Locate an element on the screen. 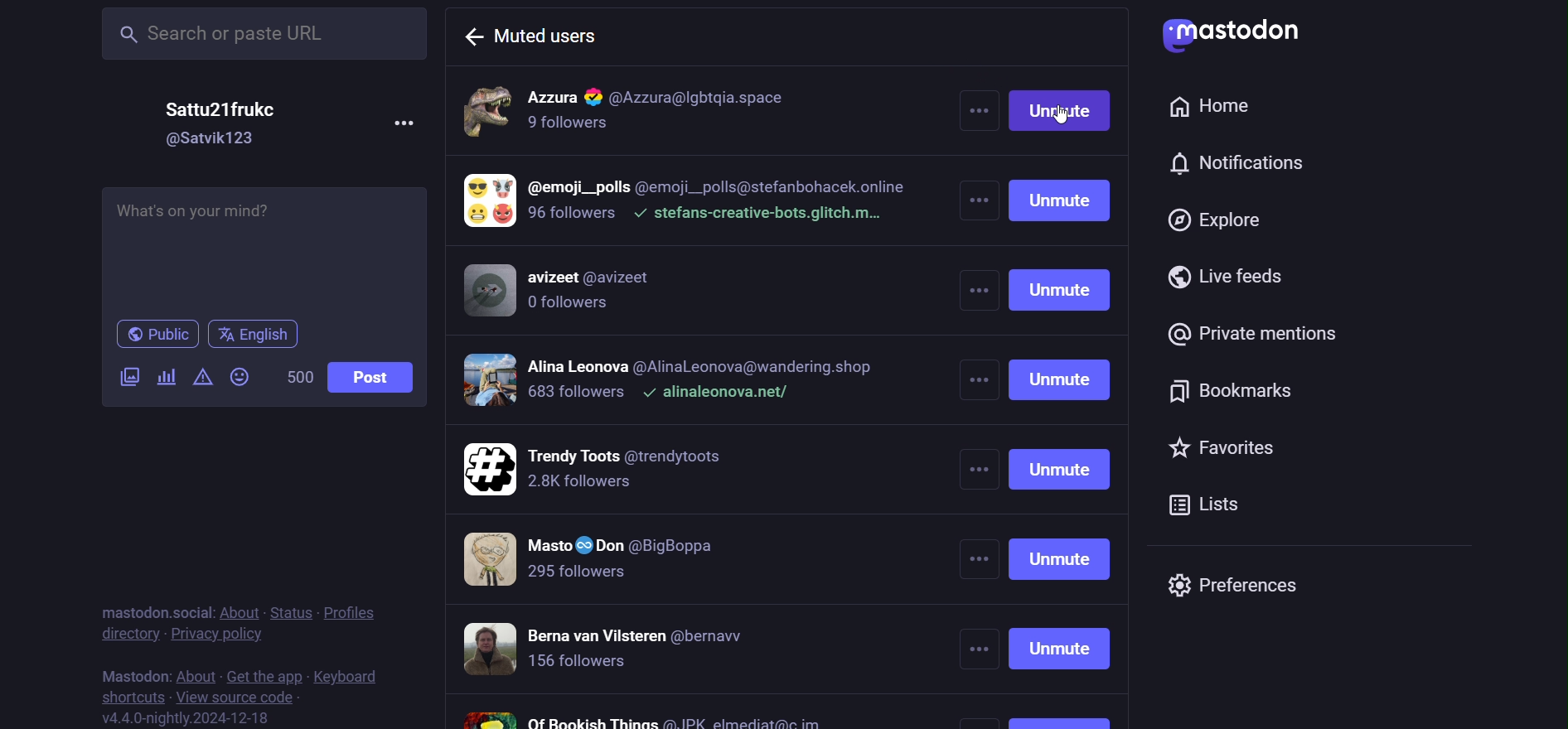  about is located at coordinates (240, 608).